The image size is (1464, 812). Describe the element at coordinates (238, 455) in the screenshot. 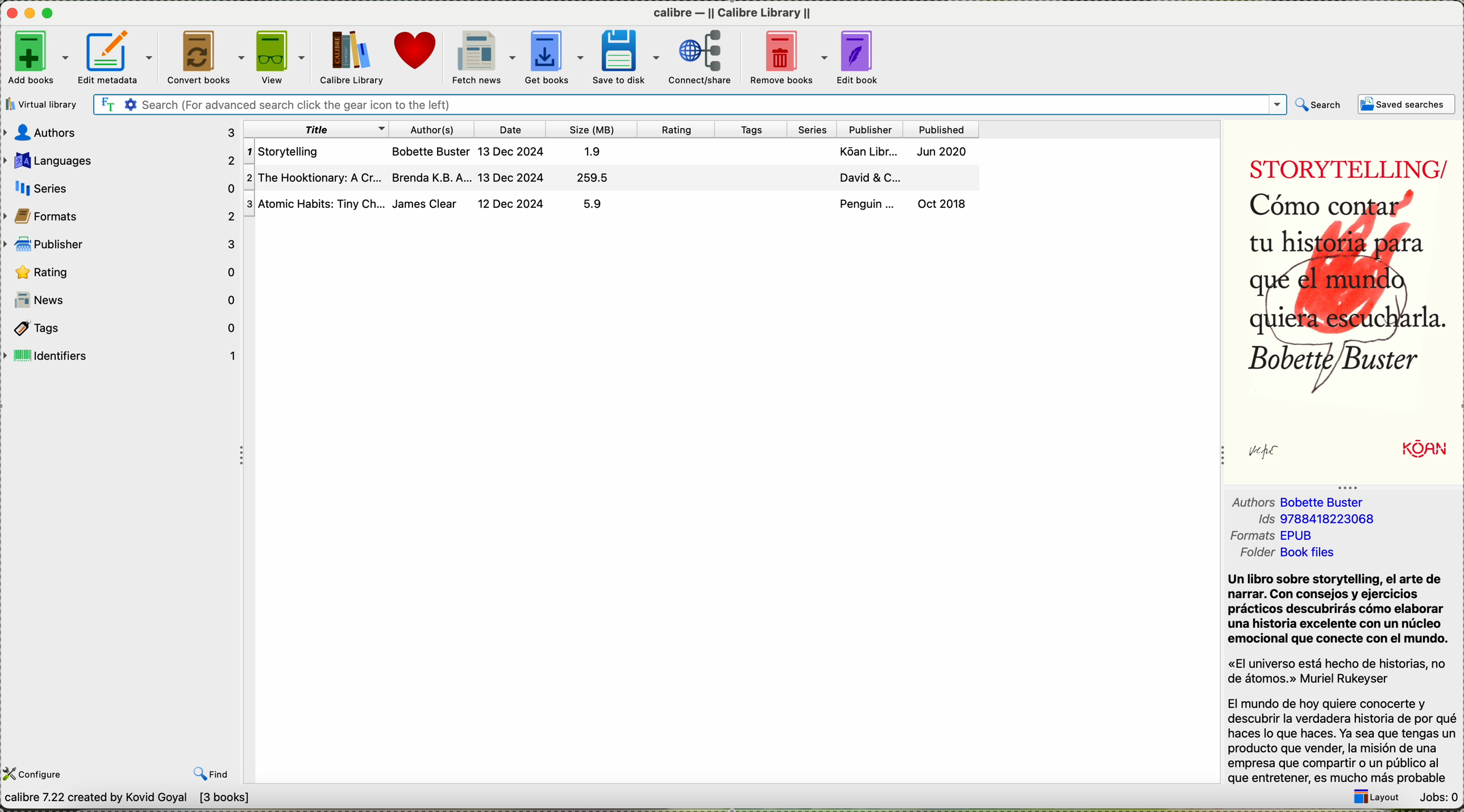

I see `Collapse` at that location.